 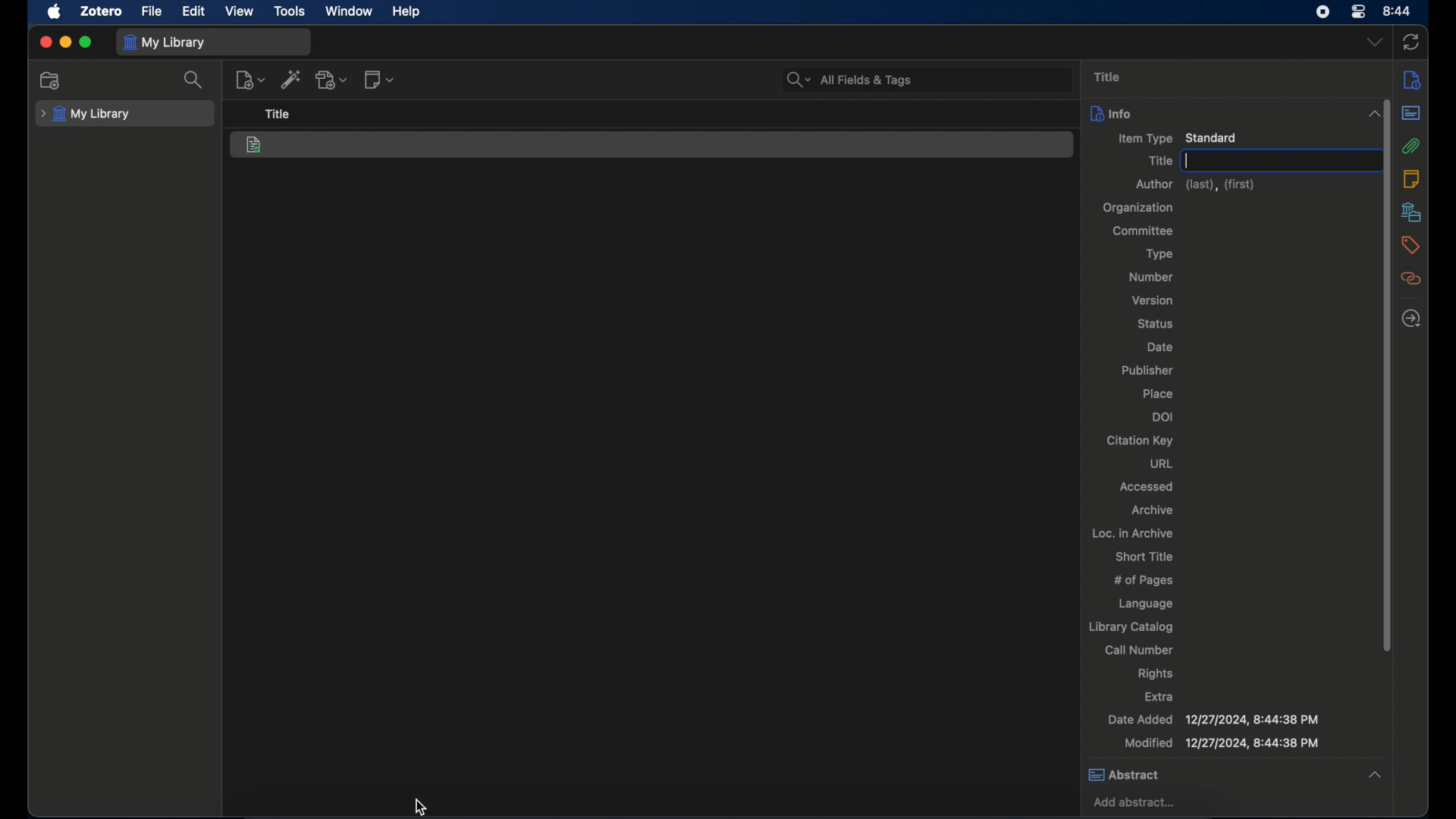 I want to click on search, so click(x=194, y=80).